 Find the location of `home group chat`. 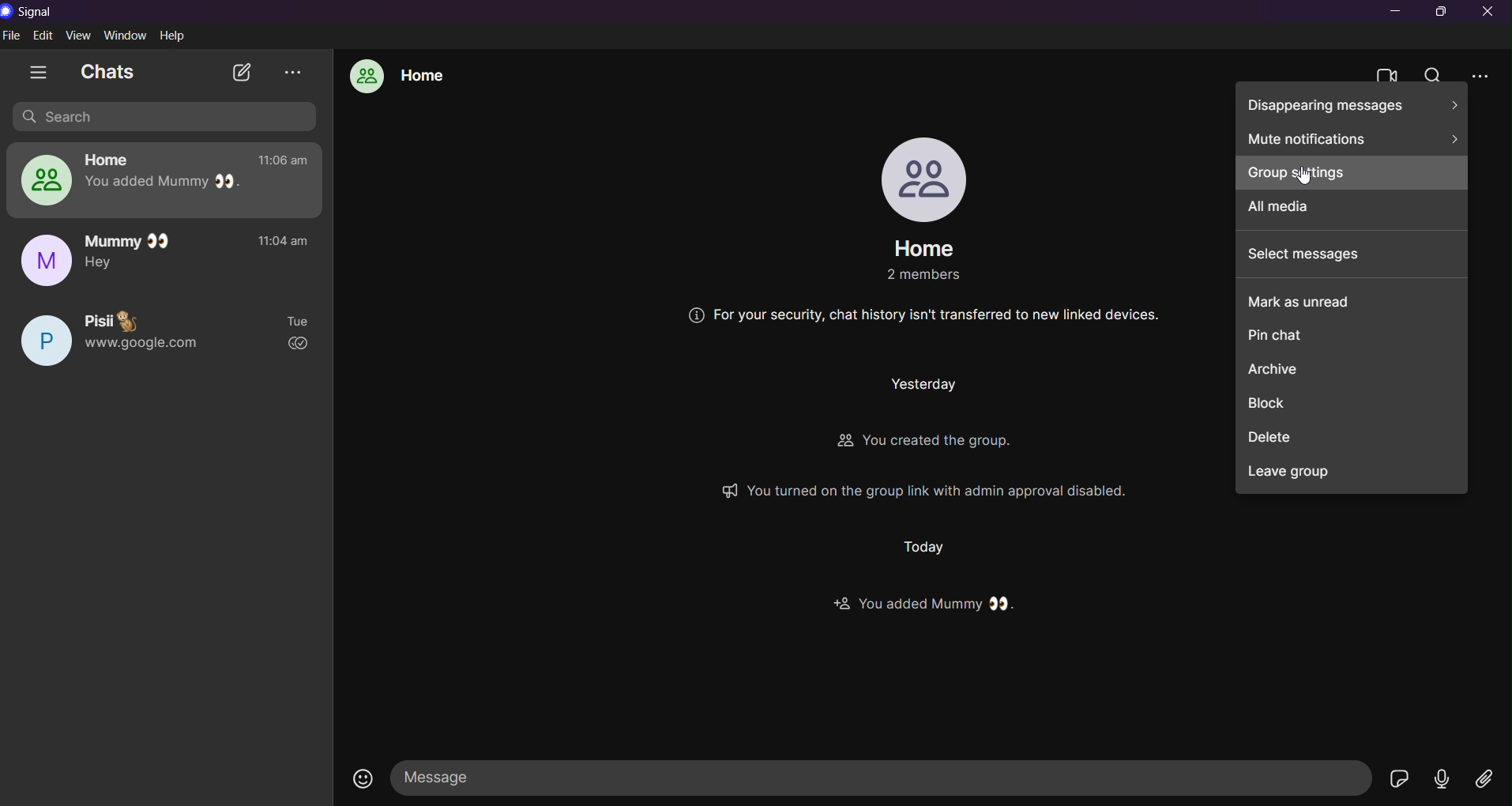

home group chat is located at coordinates (160, 179).